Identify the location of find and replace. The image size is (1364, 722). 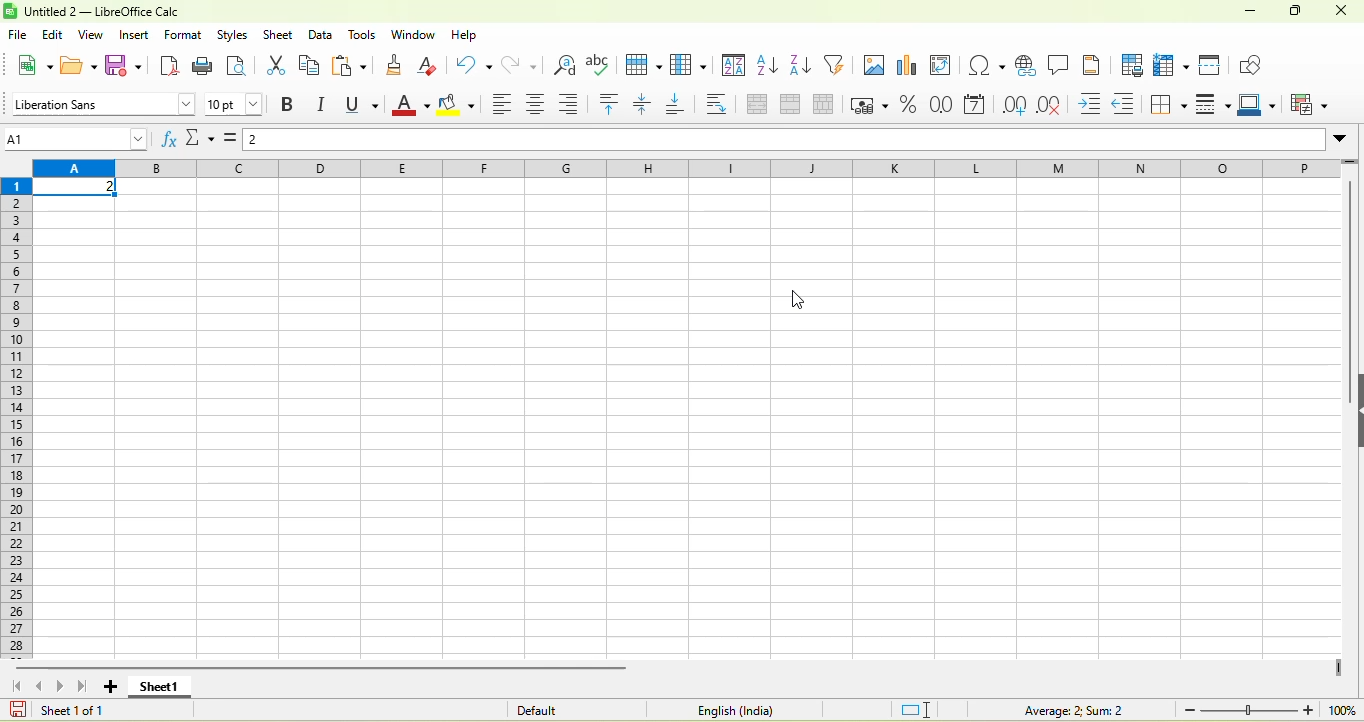
(567, 65).